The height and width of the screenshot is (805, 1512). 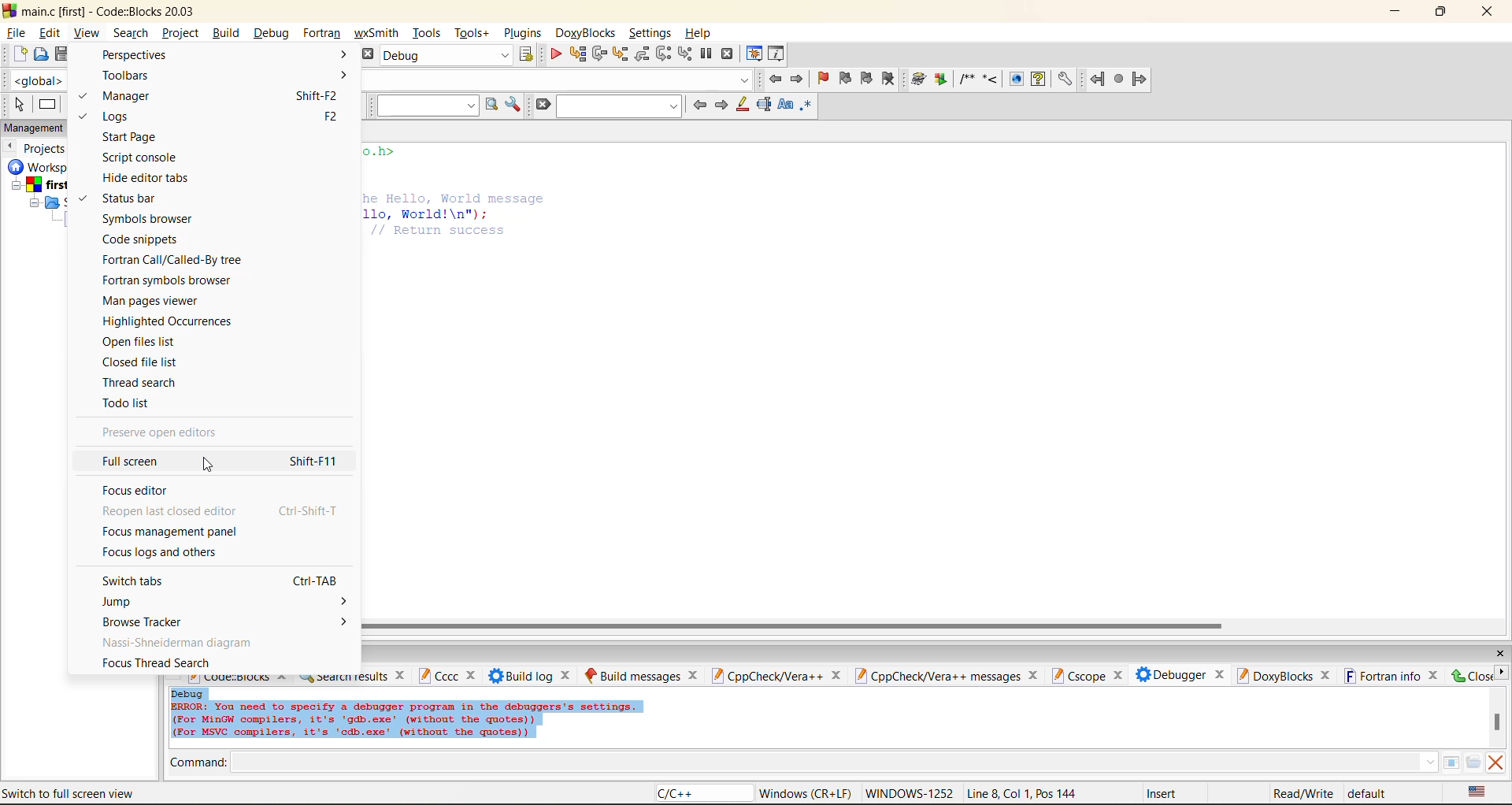 I want to click on Run doxywizard, so click(x=917, y=80).